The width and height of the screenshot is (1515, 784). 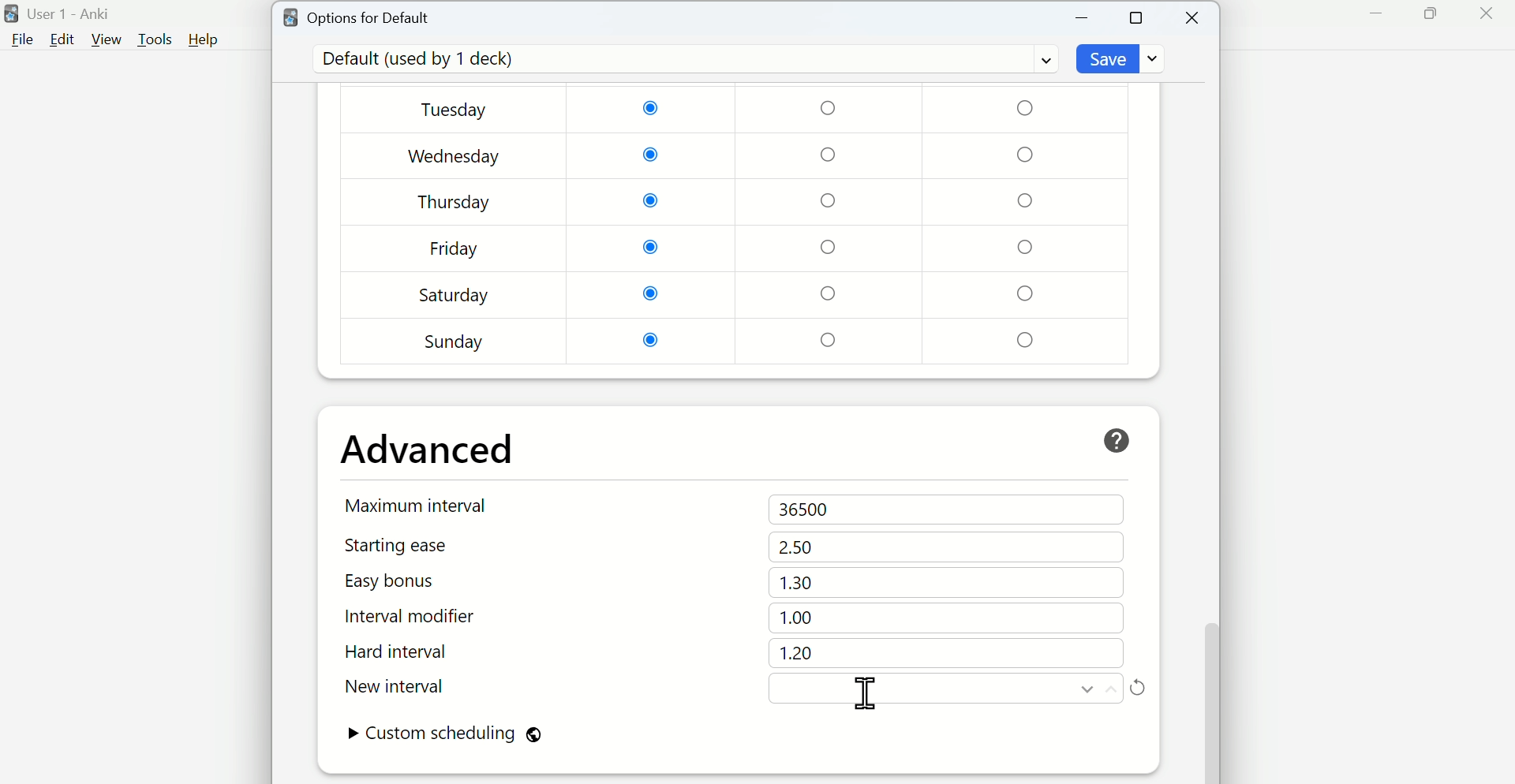 What do you see at coordinates (1117, 441) in the screenshot?
I see `help` at bounding box center [1117, 441].